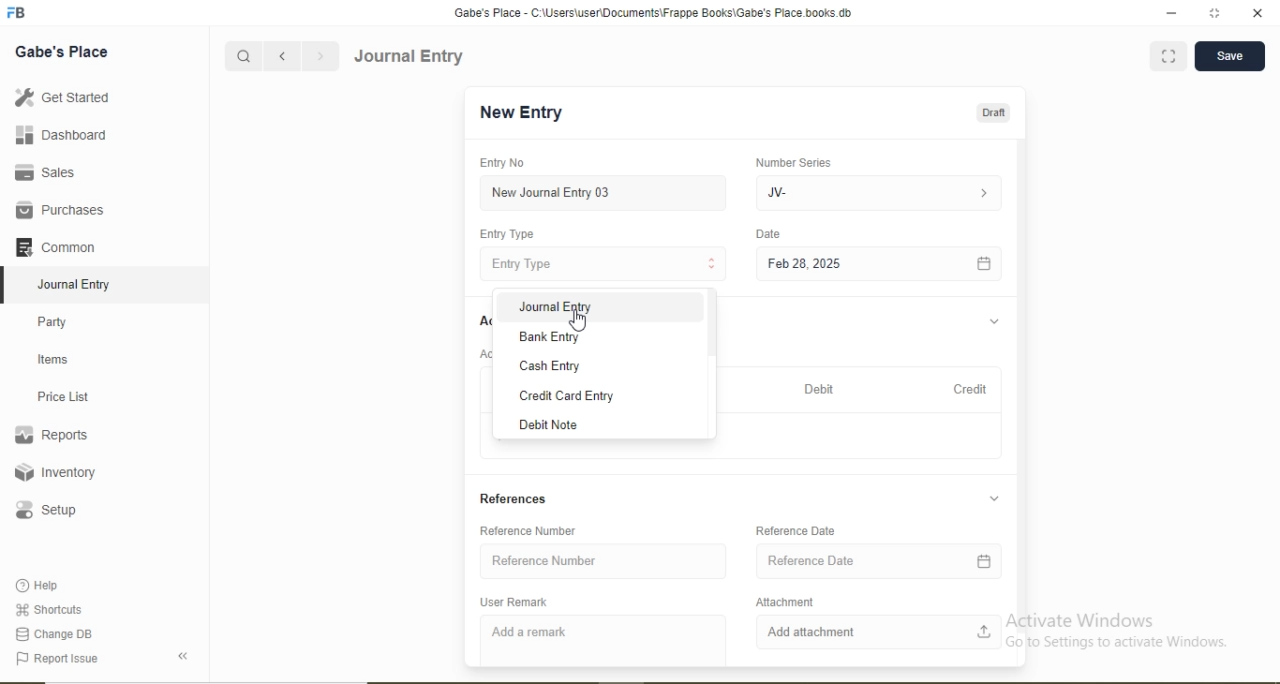  Describe the element at coordinates (993, 114) in the screenshot. I see `Draft` at that location.